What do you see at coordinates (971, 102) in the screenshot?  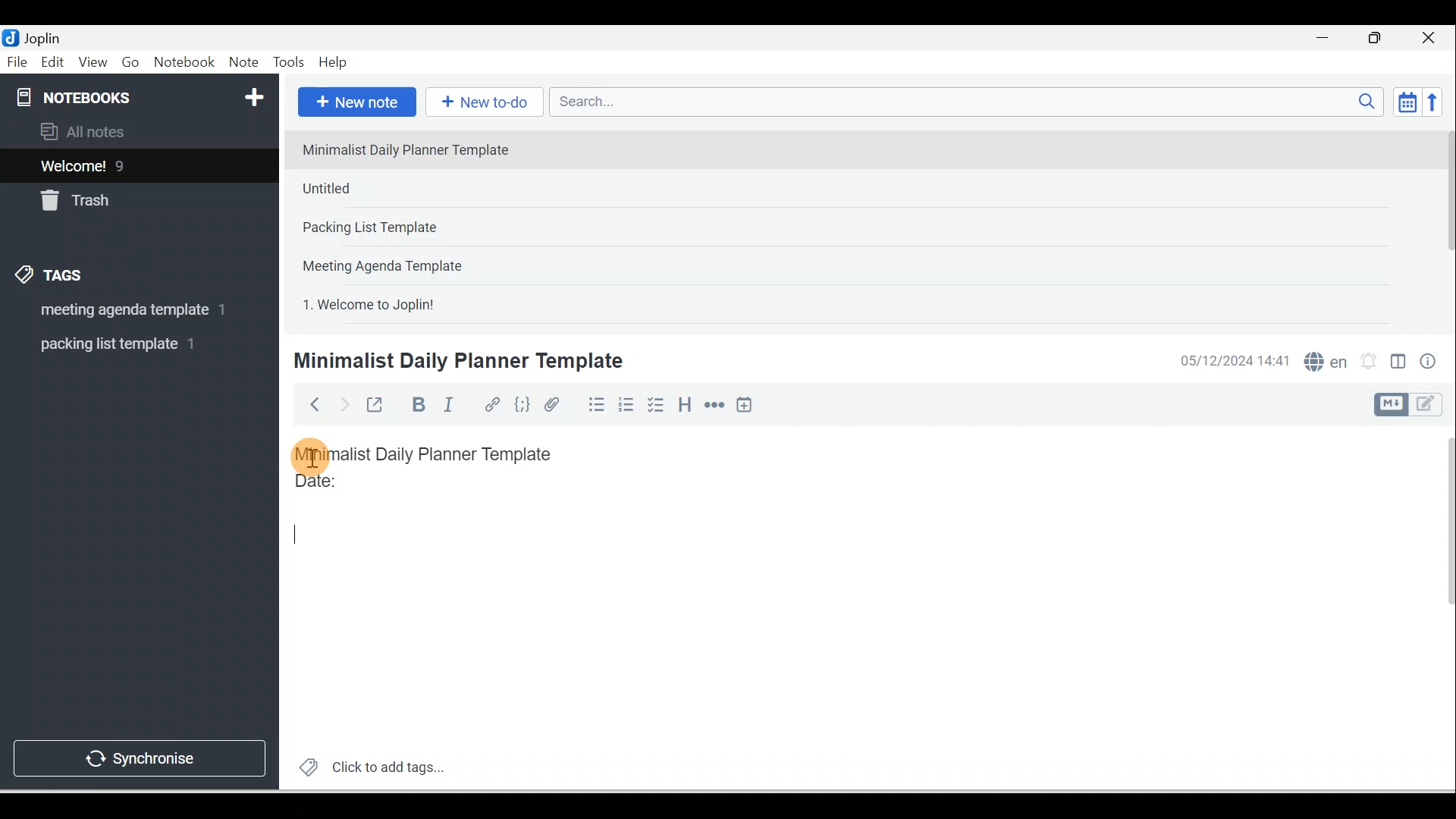 I see `Search bar` at bounding box center [971, 102].